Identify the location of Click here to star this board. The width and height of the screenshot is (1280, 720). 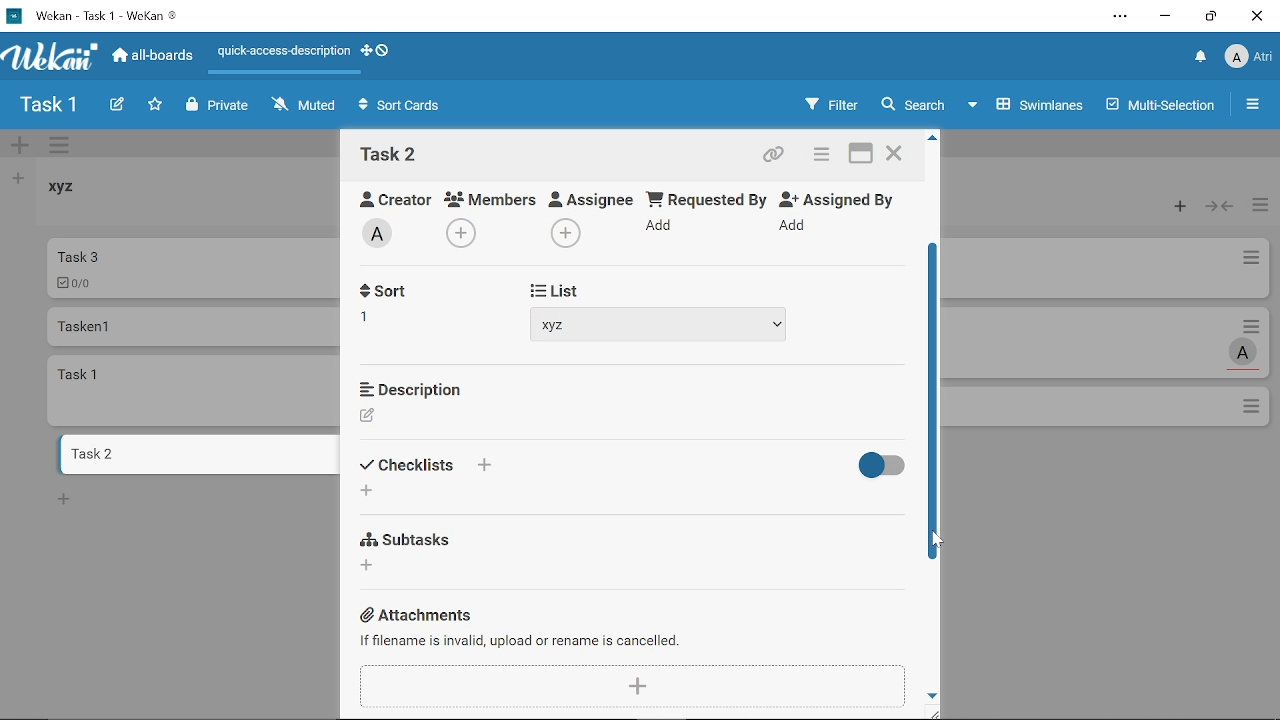
(155, 106).